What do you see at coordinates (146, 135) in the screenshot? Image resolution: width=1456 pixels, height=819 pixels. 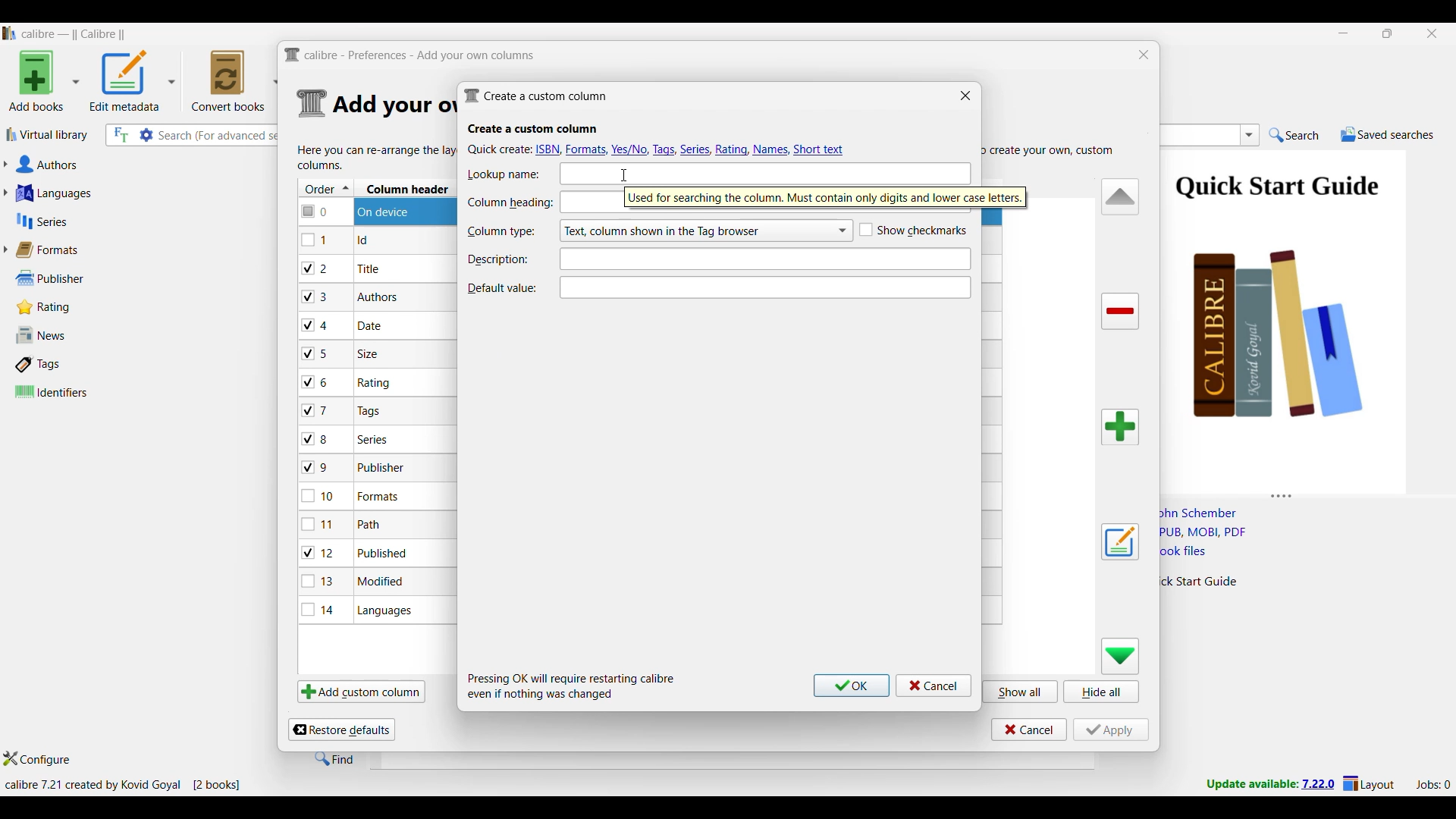 I see `Advanced search` at bounding box center [146, 135].